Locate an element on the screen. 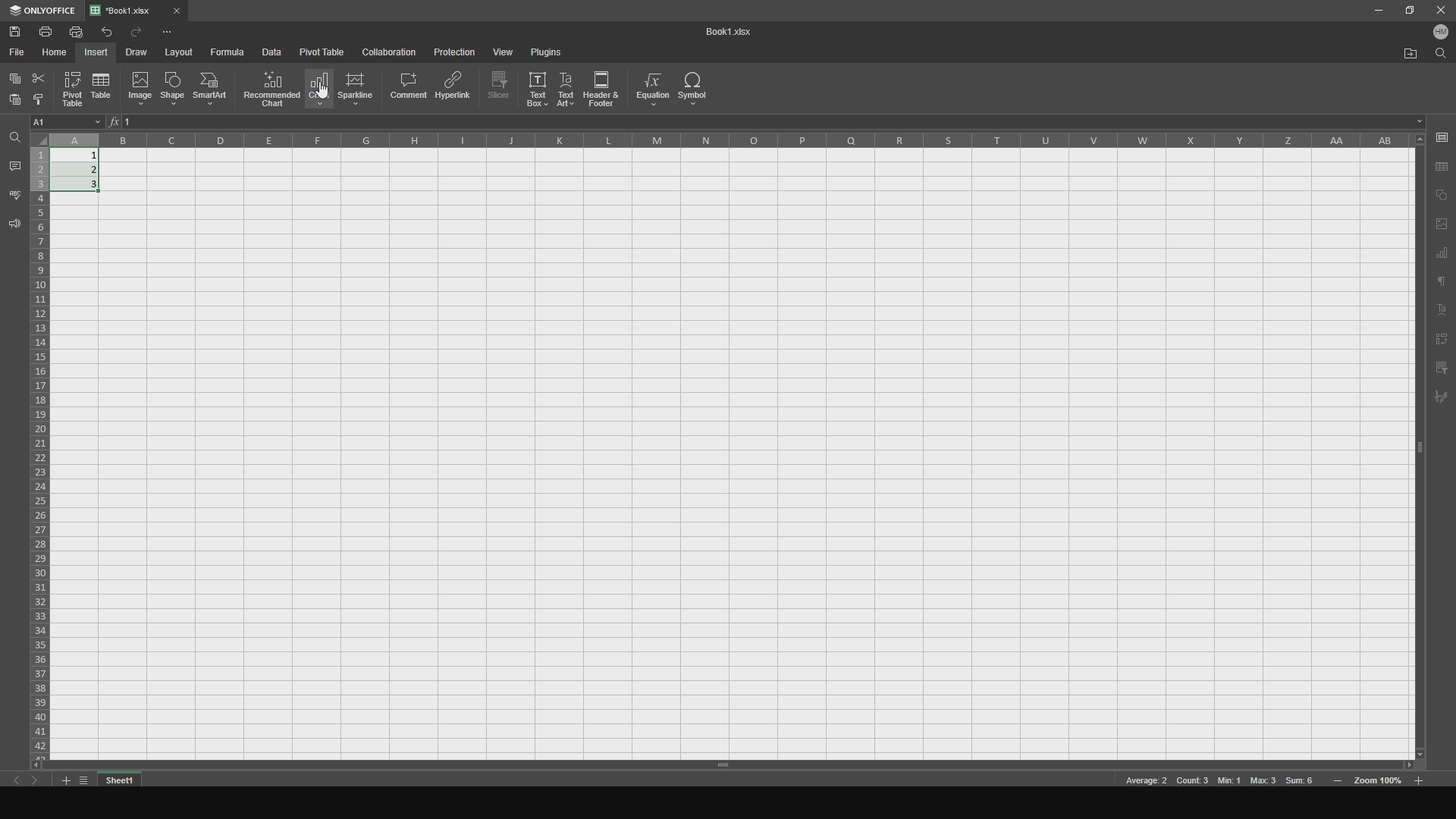  chart is located at coordinates (1442, 255).